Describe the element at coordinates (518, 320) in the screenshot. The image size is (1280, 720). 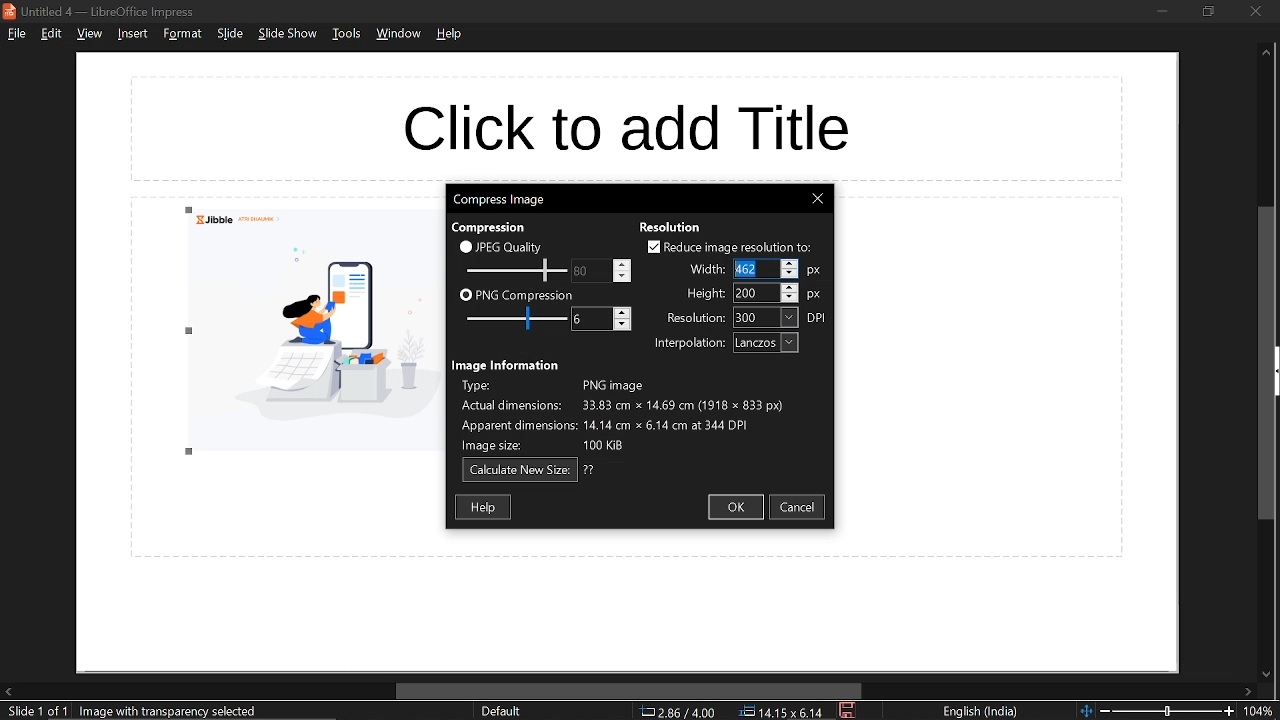
I see `JPEG quality scale` at that location.